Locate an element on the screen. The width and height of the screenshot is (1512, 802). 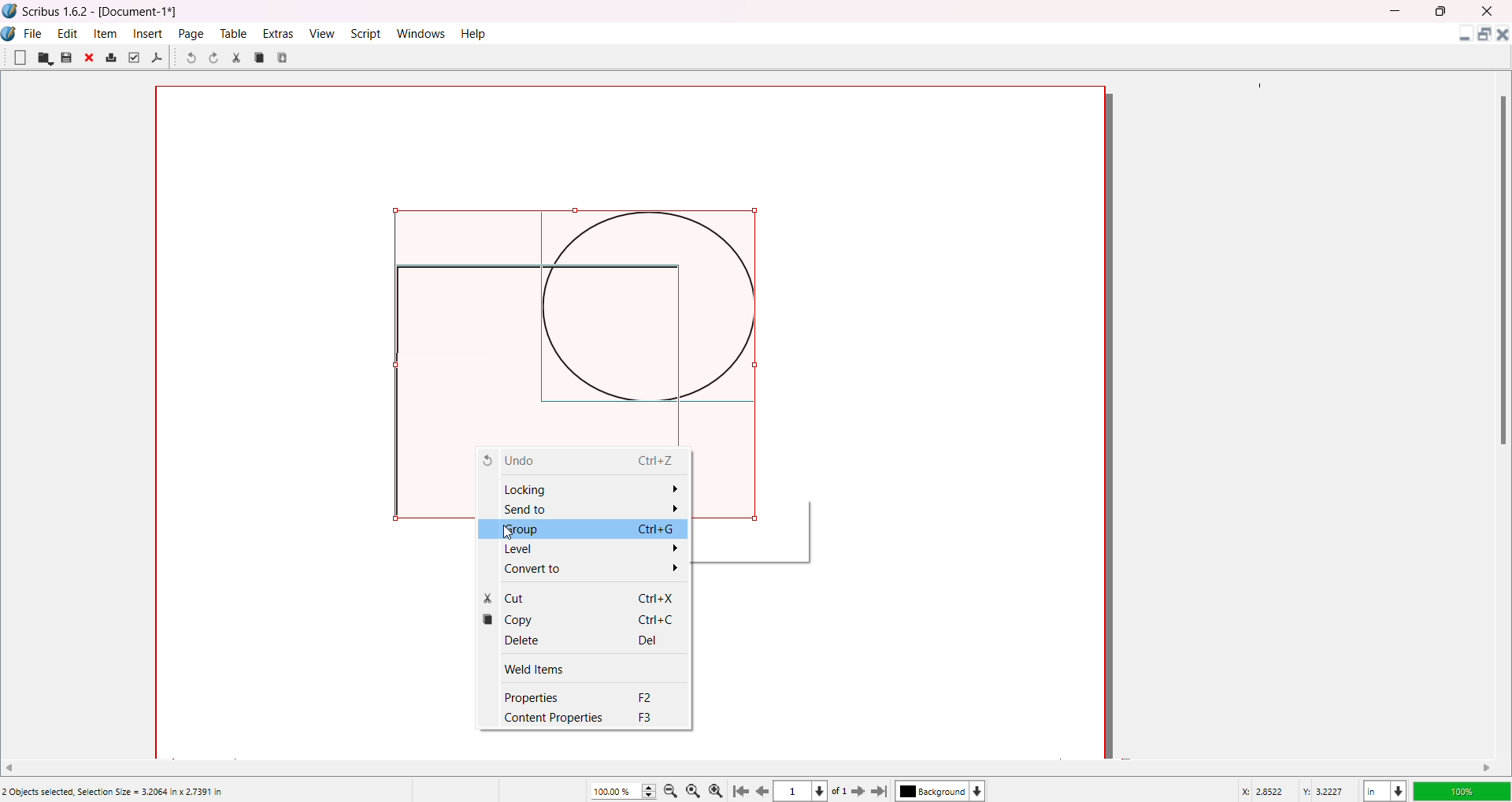
Save is located at coordinates (66, 58).